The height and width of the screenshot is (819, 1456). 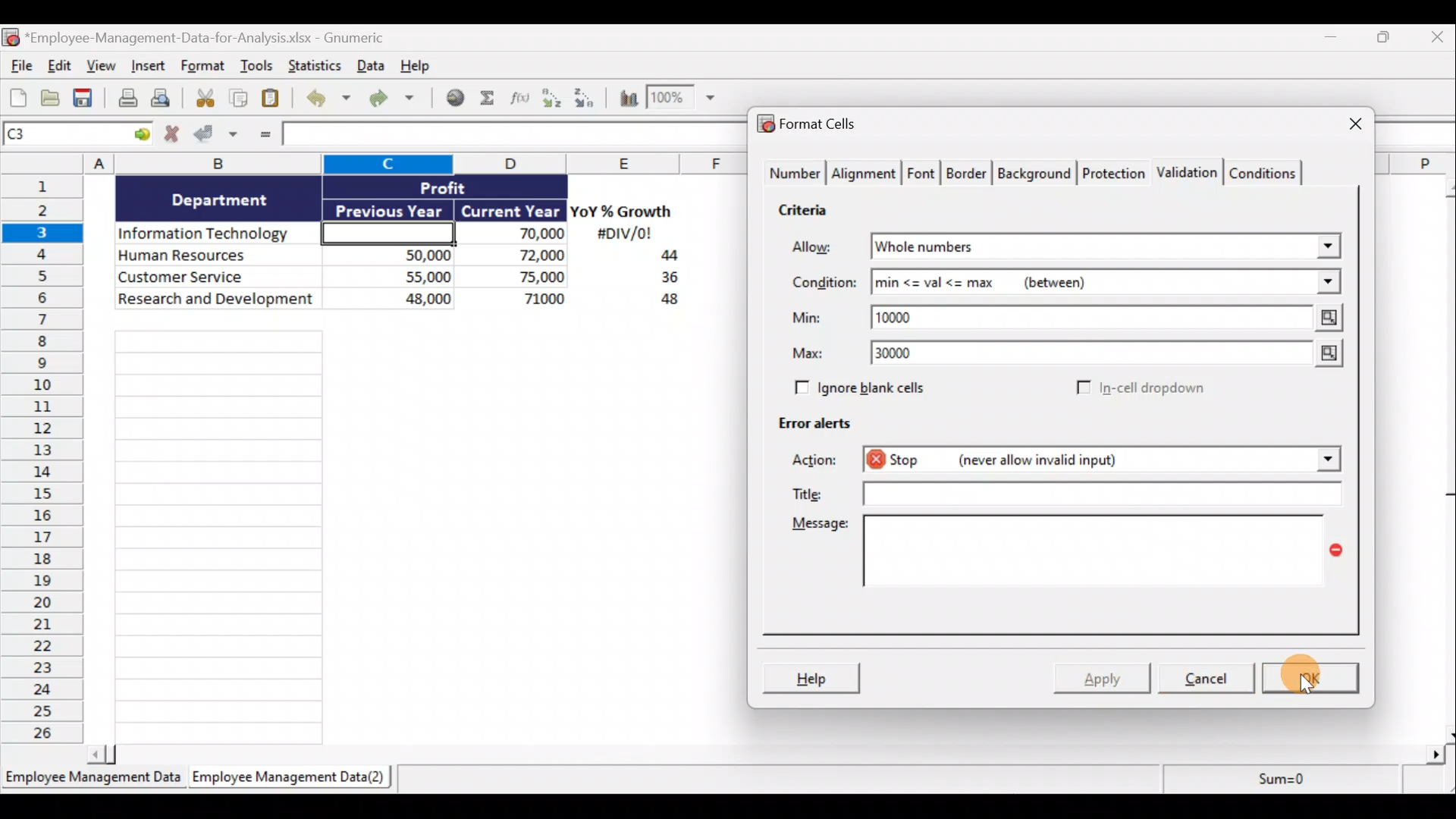 What do you see at coordinates (814, 676) in the screenshot?
I see `Help` at bounding box center [814, 676].